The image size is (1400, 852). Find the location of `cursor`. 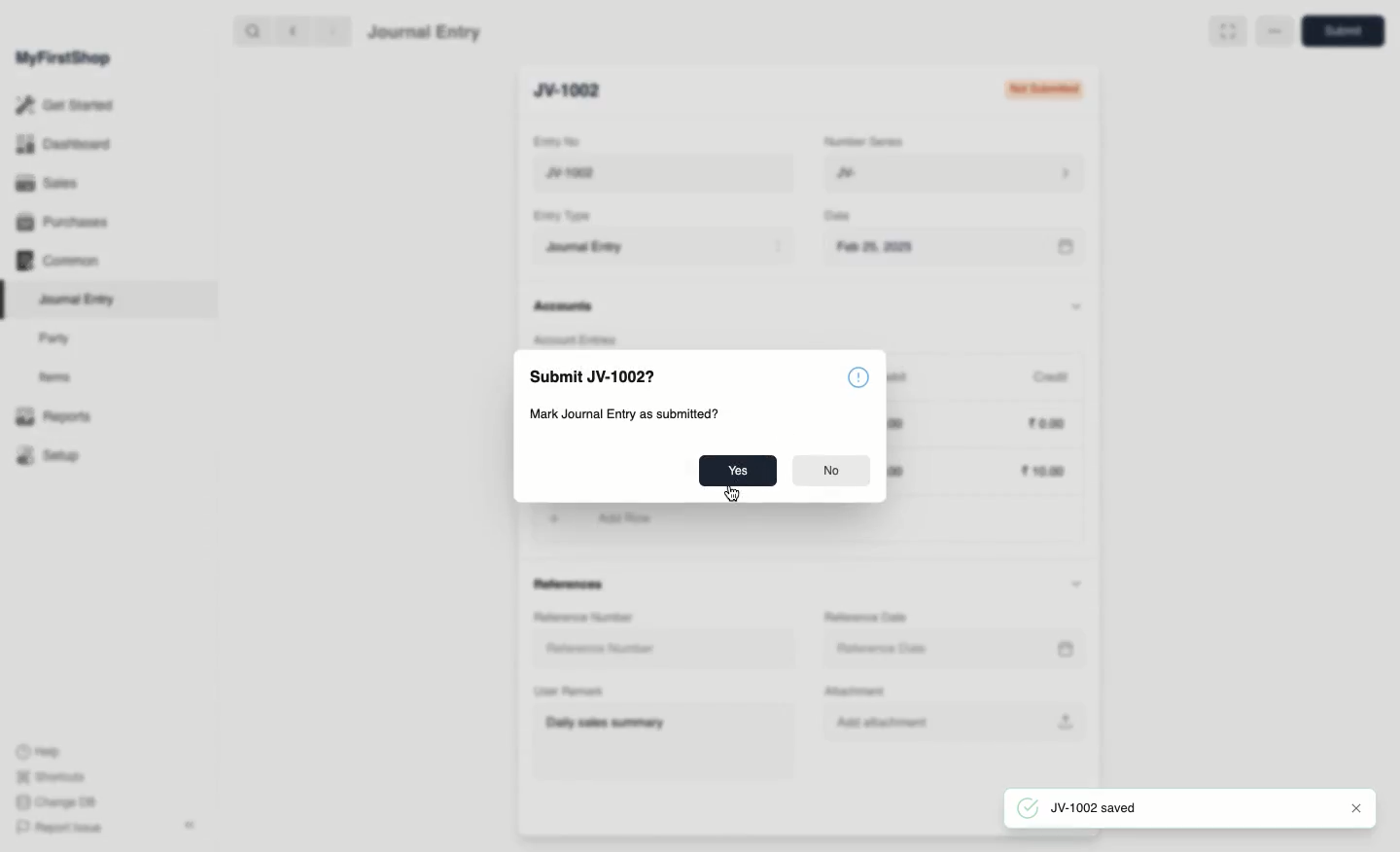

cursor is located at coordinates (735, 495).